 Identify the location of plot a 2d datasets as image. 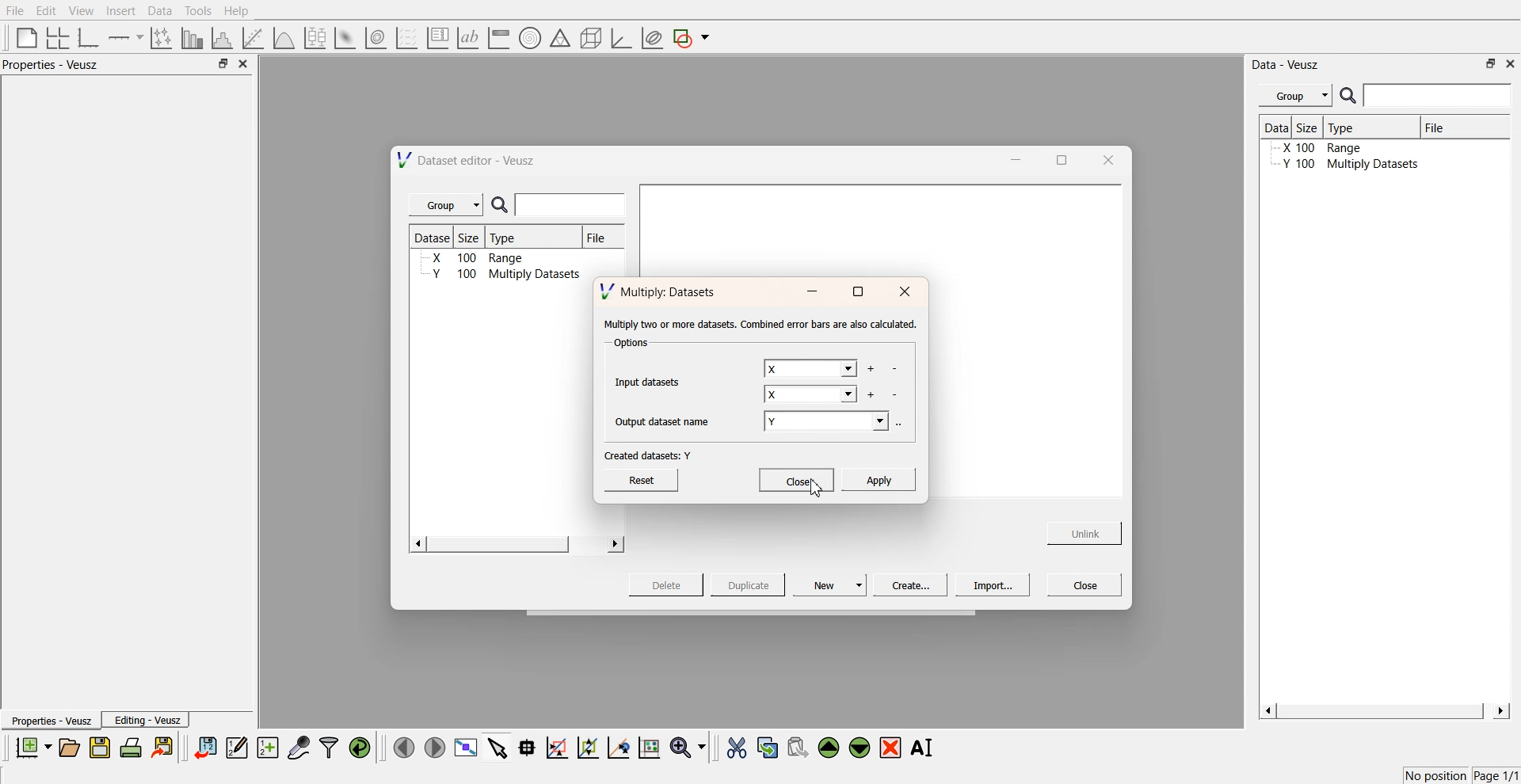
(344, 37).